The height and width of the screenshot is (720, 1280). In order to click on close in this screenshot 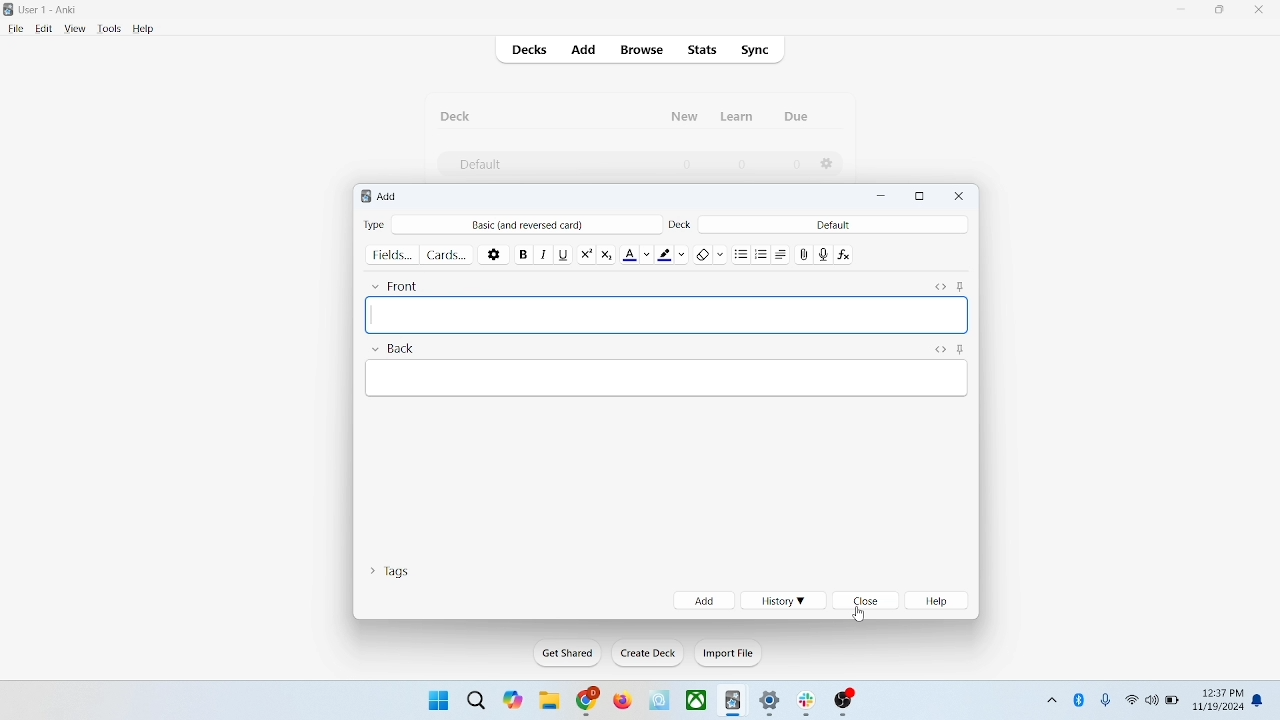, I will do `click(960, 196)`.